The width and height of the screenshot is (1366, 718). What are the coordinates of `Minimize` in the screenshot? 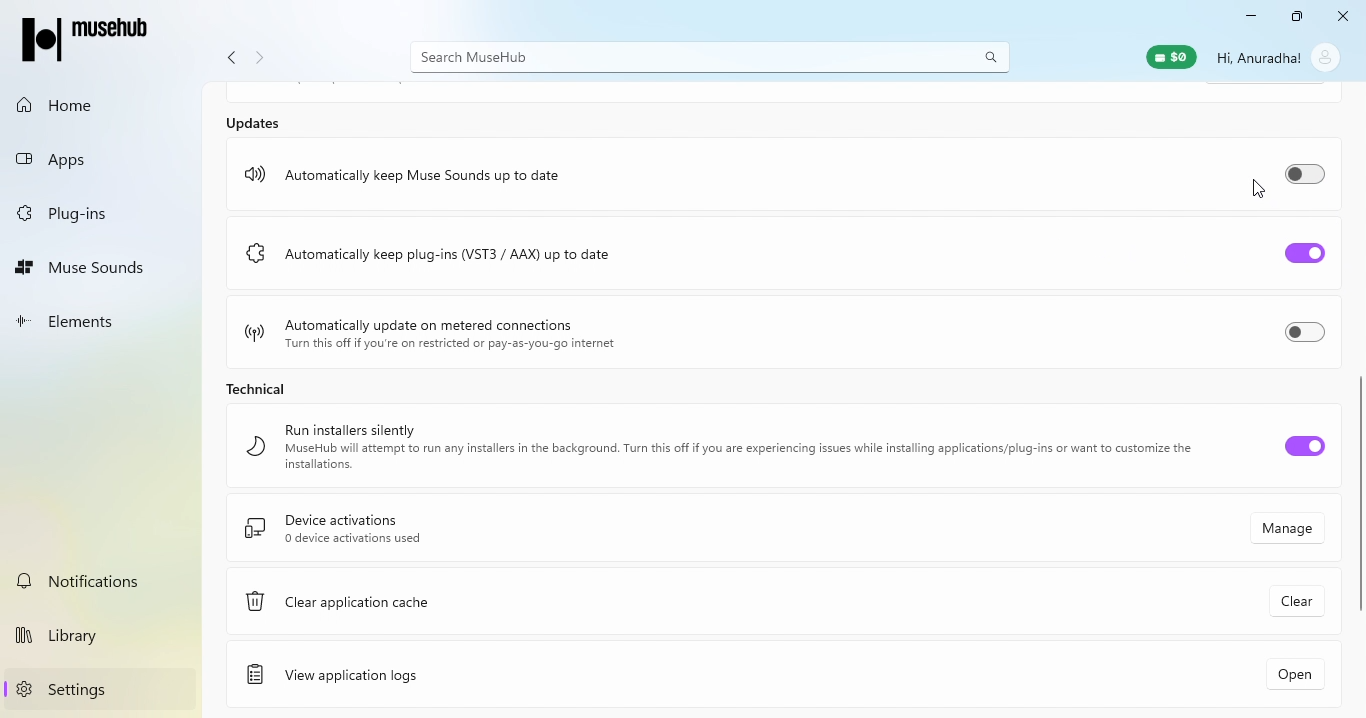 It's located at (1244, 18).